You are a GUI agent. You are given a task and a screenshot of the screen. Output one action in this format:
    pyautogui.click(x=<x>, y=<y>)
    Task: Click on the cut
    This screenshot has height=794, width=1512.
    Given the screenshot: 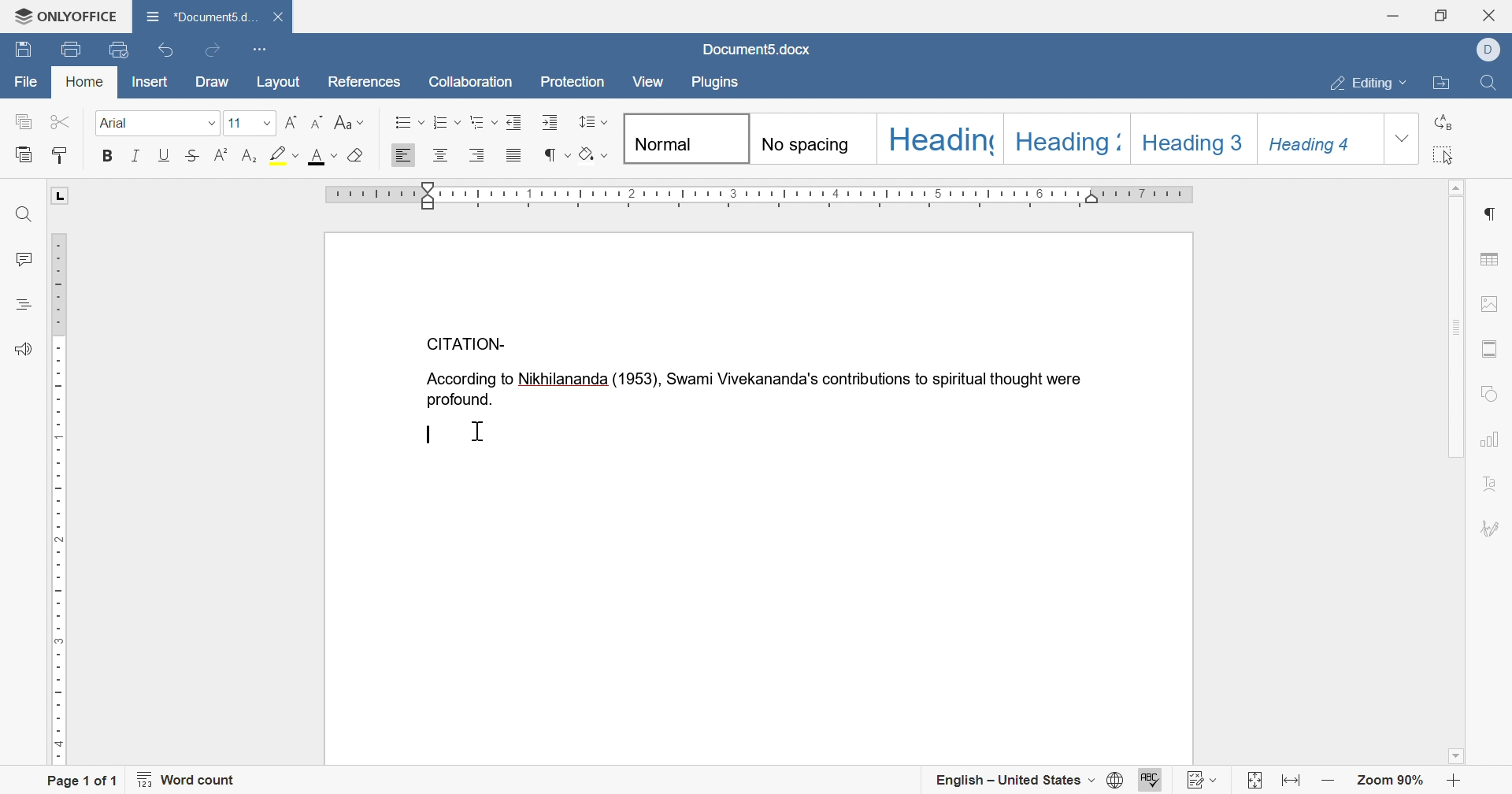 What is the action you would take?
    pyautogui.click(x=63, y=121)
    